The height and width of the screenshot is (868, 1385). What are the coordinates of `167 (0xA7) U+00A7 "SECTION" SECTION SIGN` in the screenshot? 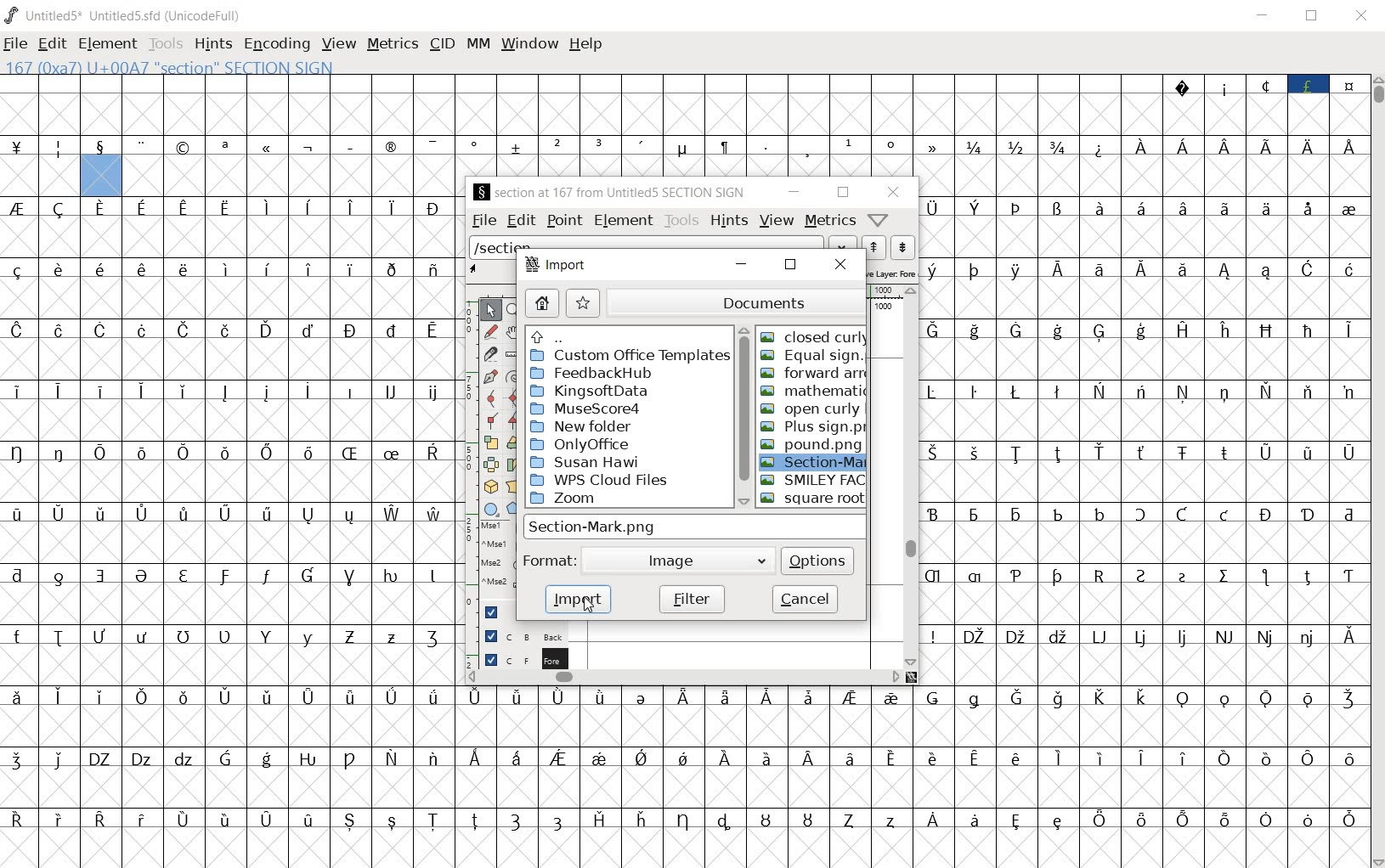 It's located at (225, 67).